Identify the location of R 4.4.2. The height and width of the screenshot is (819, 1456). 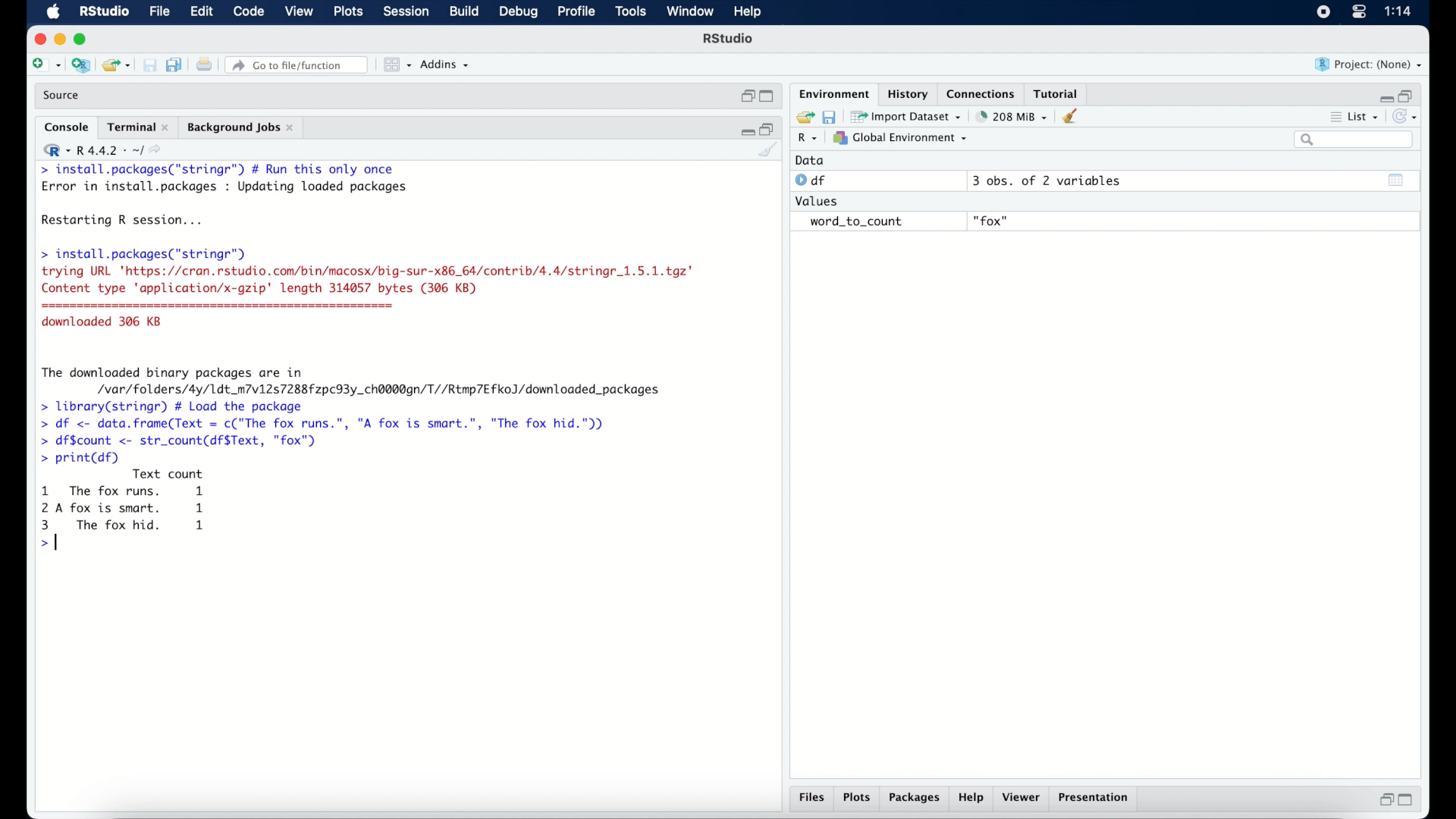
(102, 150).